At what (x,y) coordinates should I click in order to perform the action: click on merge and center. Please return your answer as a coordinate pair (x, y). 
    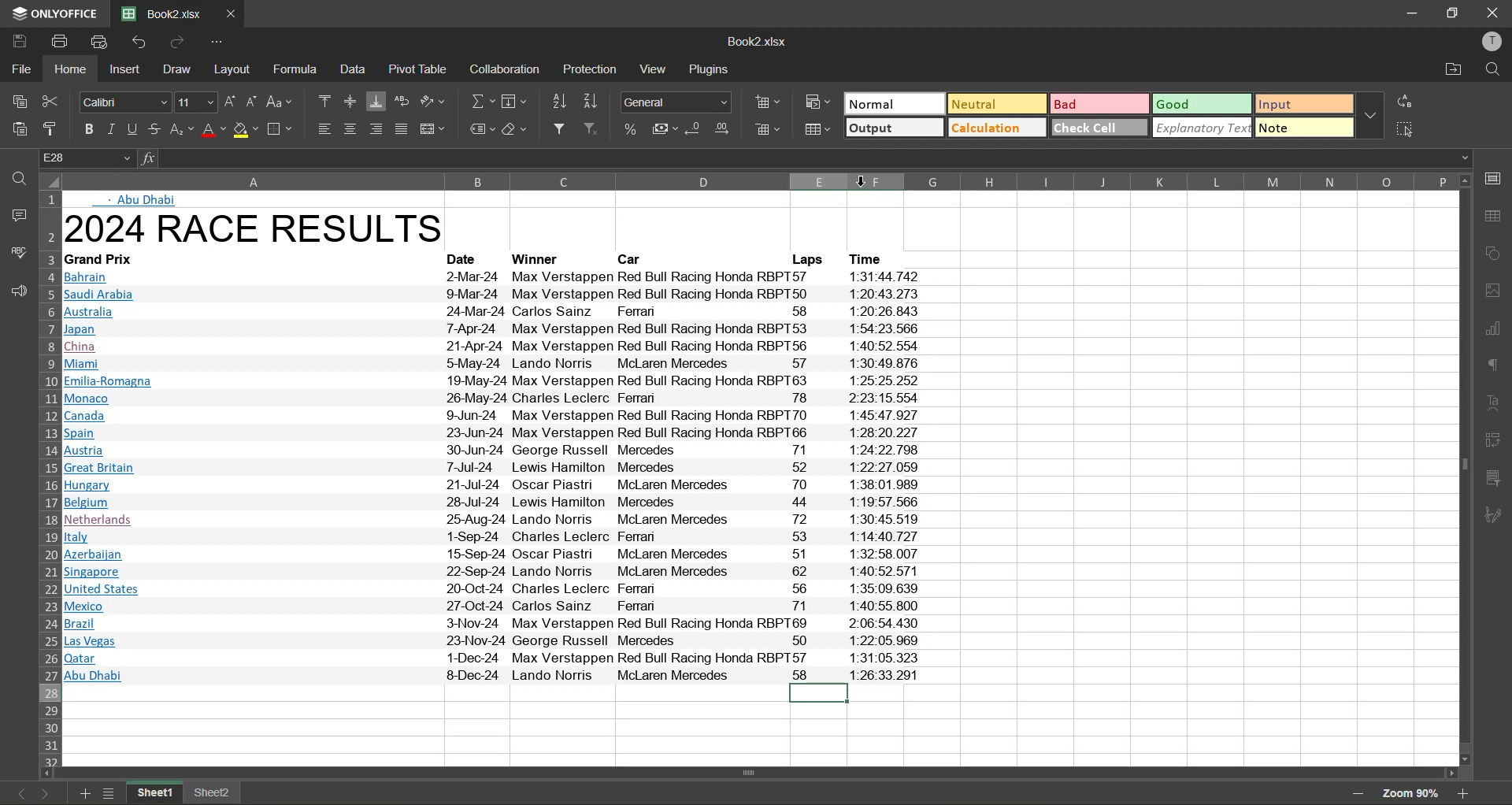
    Looking at the image, I should click on (432, 127).